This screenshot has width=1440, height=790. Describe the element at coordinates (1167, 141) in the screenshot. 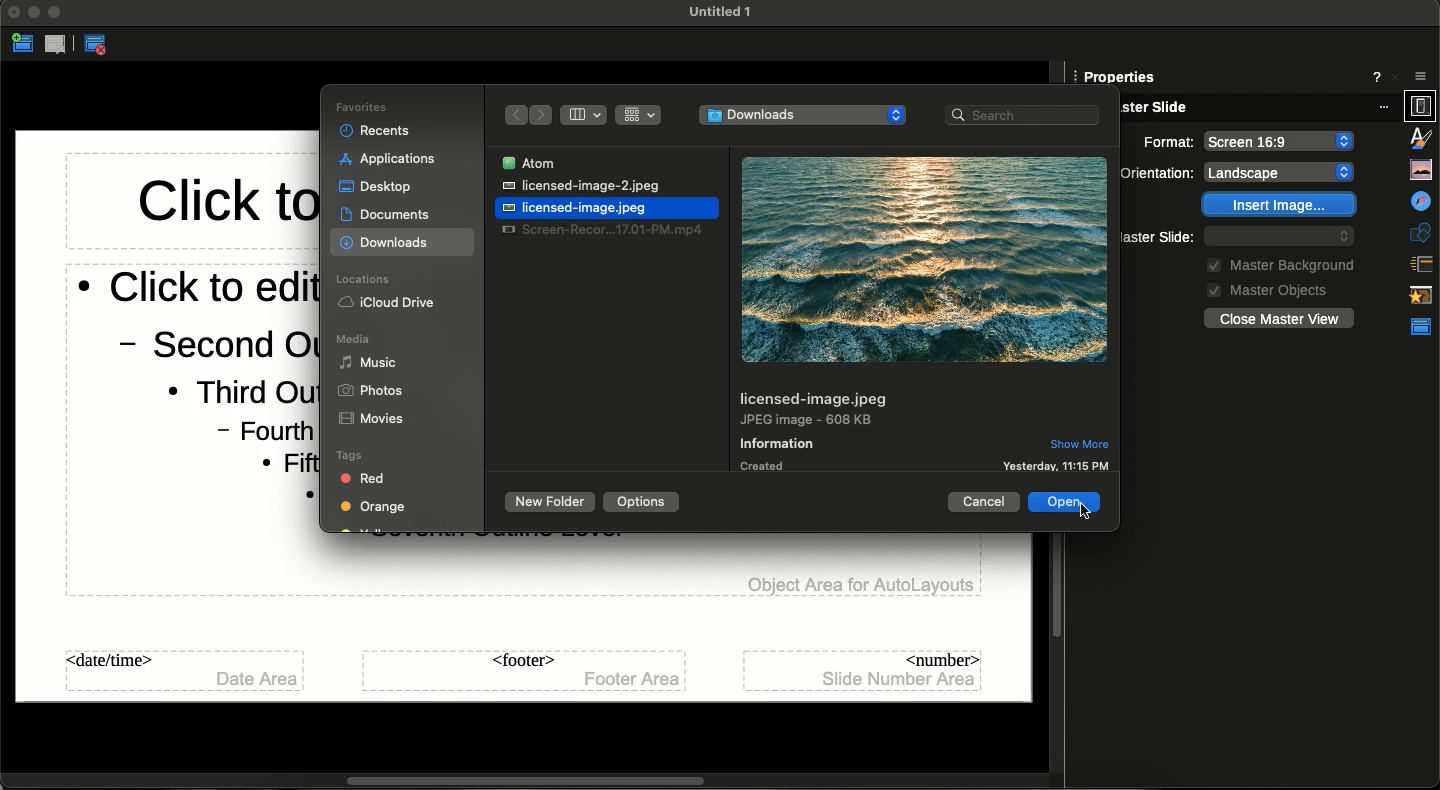

I see `Orientation` at that location.